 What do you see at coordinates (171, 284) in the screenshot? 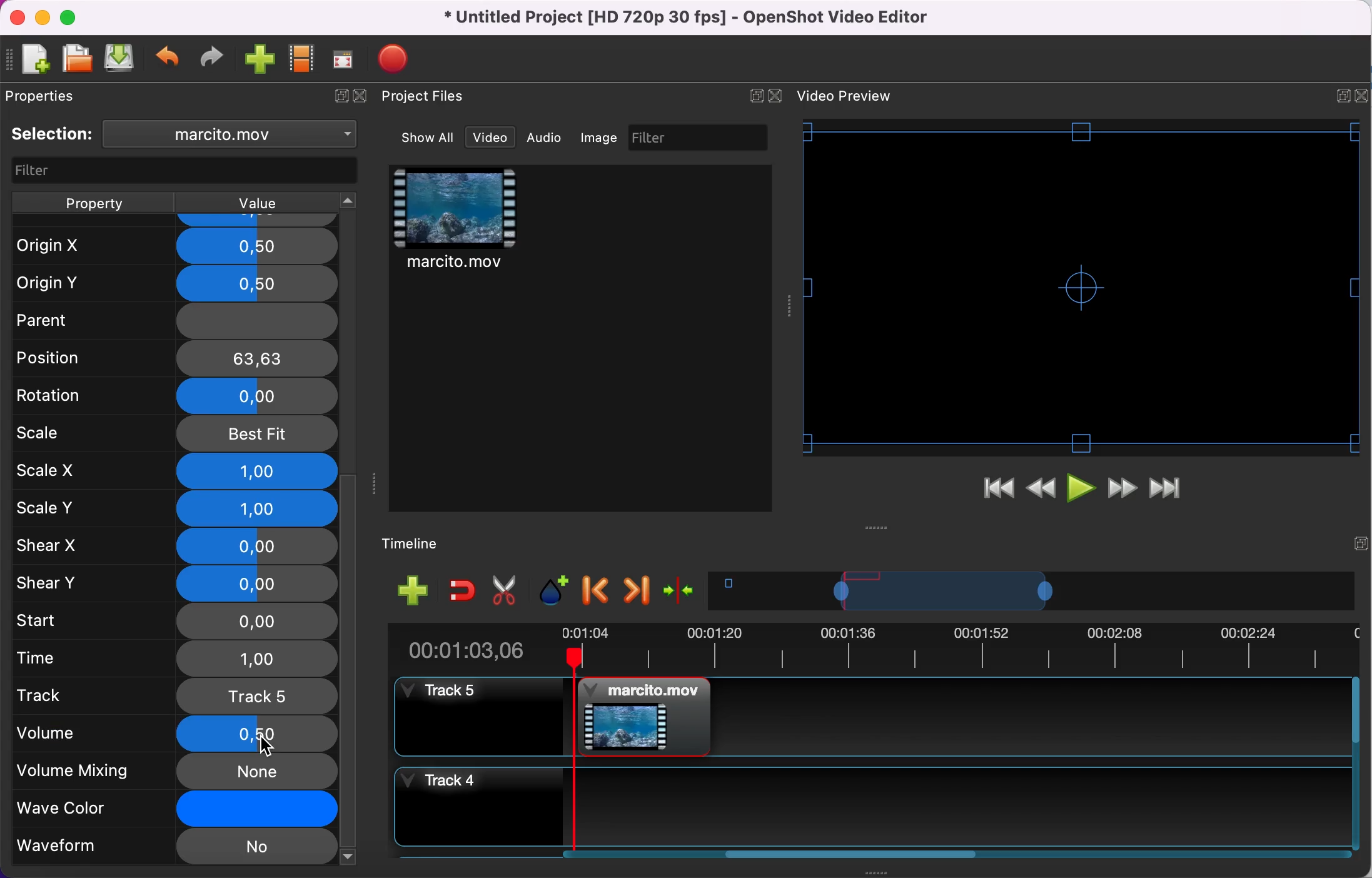
I see `Origin Y` at bounding box center [171, 284].